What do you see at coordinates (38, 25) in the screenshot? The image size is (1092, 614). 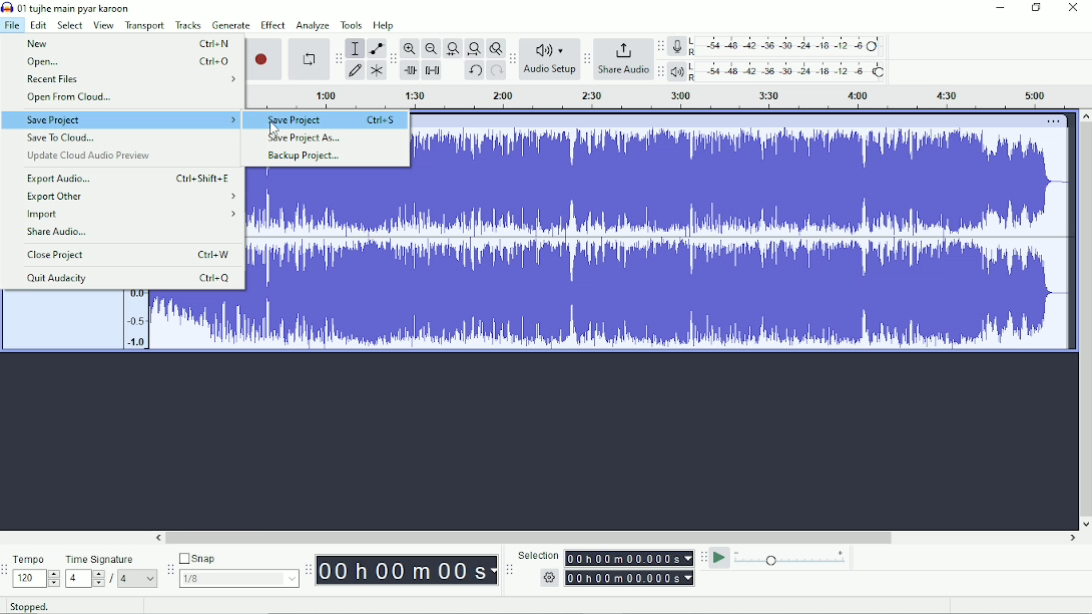 I see `Edit` at bounding box center [38, 25].